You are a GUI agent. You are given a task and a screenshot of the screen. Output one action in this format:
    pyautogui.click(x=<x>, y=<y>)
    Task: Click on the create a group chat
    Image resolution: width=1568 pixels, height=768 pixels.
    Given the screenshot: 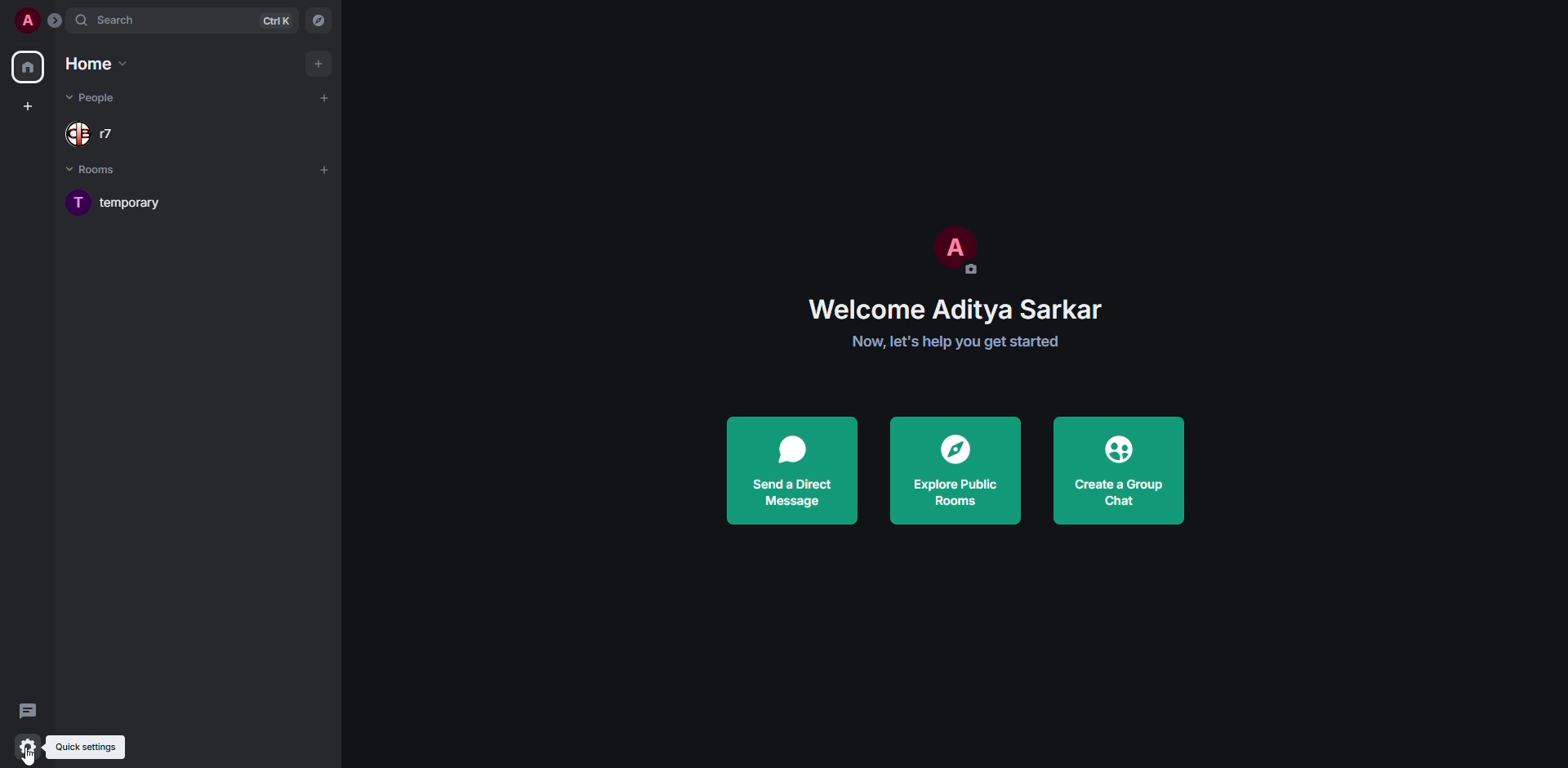 What is the action you would take?
    pyautogui.click(x=1119, y=470)
    